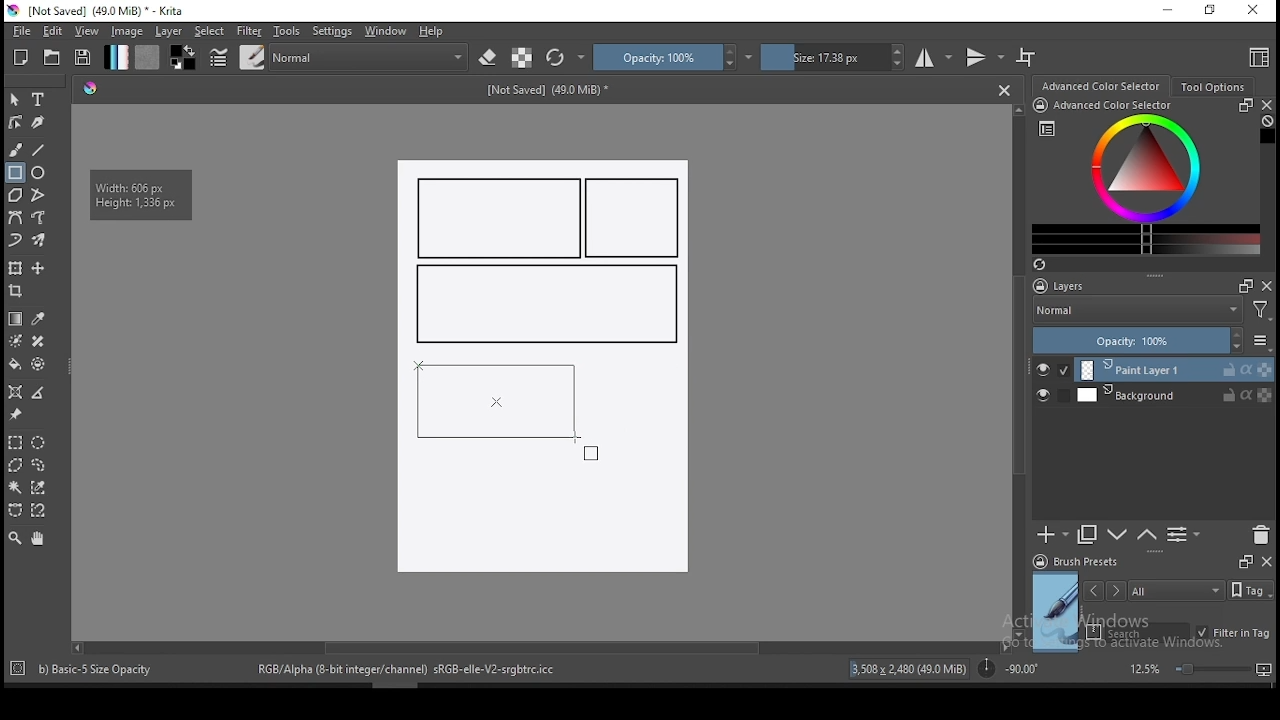 Image resolution: width=1280 pixels, height=720 pixels. Describe the element at coordinates (86, 31) in the screenshot. I see `view` at that location.